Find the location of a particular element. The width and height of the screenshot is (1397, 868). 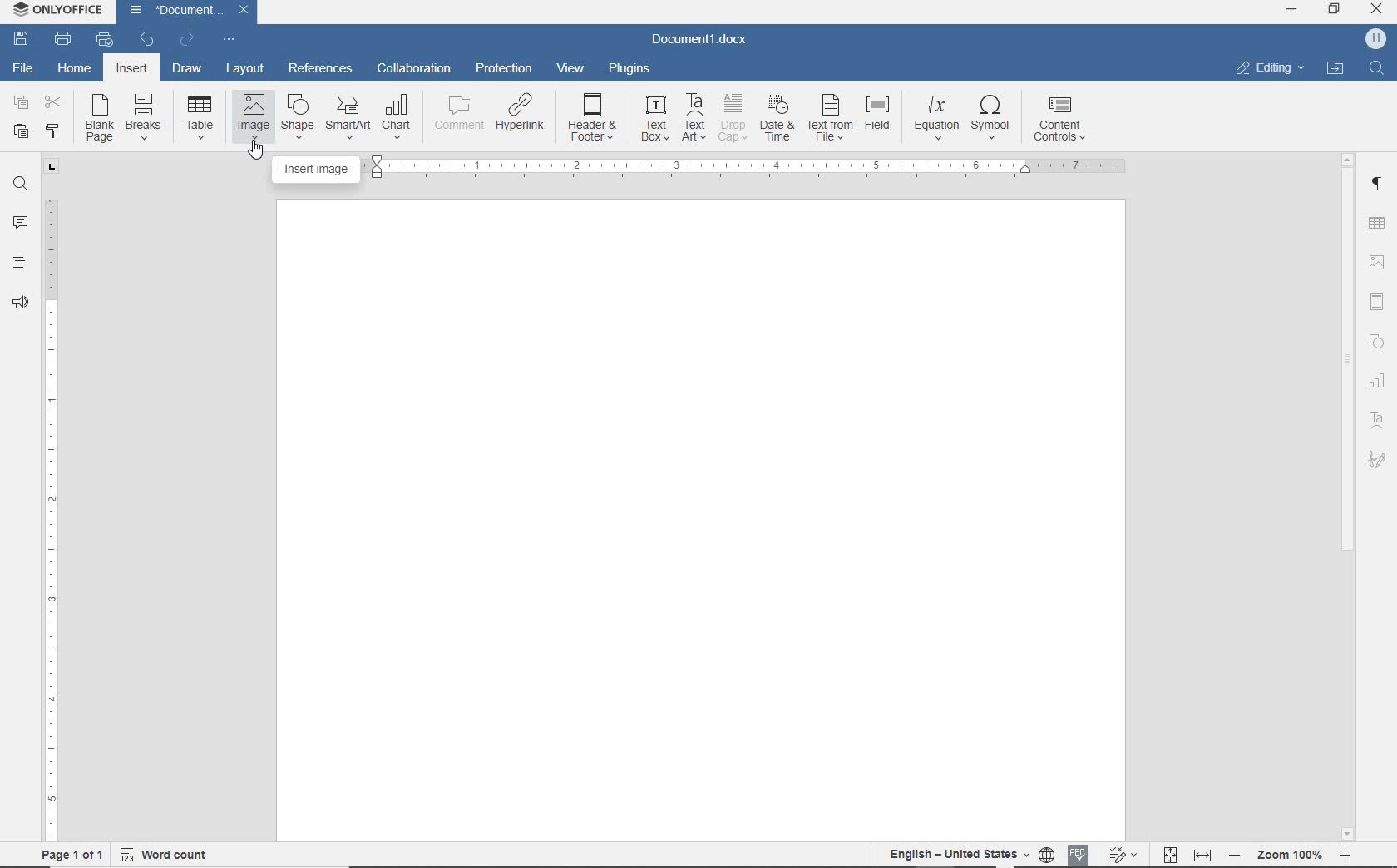

open file location is located at coordinates (1338, 70).